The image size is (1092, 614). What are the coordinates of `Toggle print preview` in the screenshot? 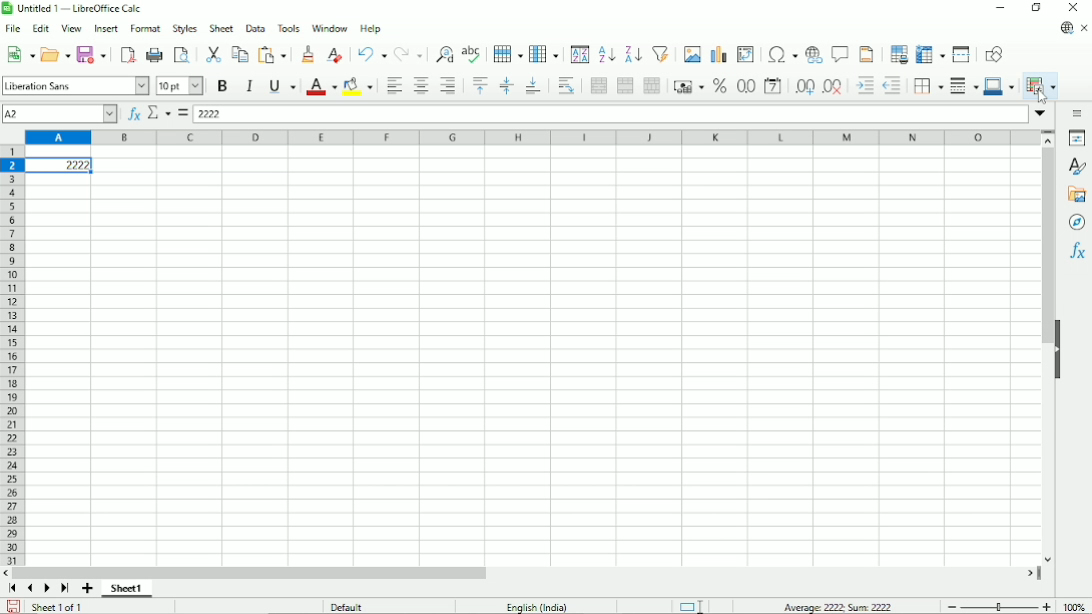 It's located at (182, 54).